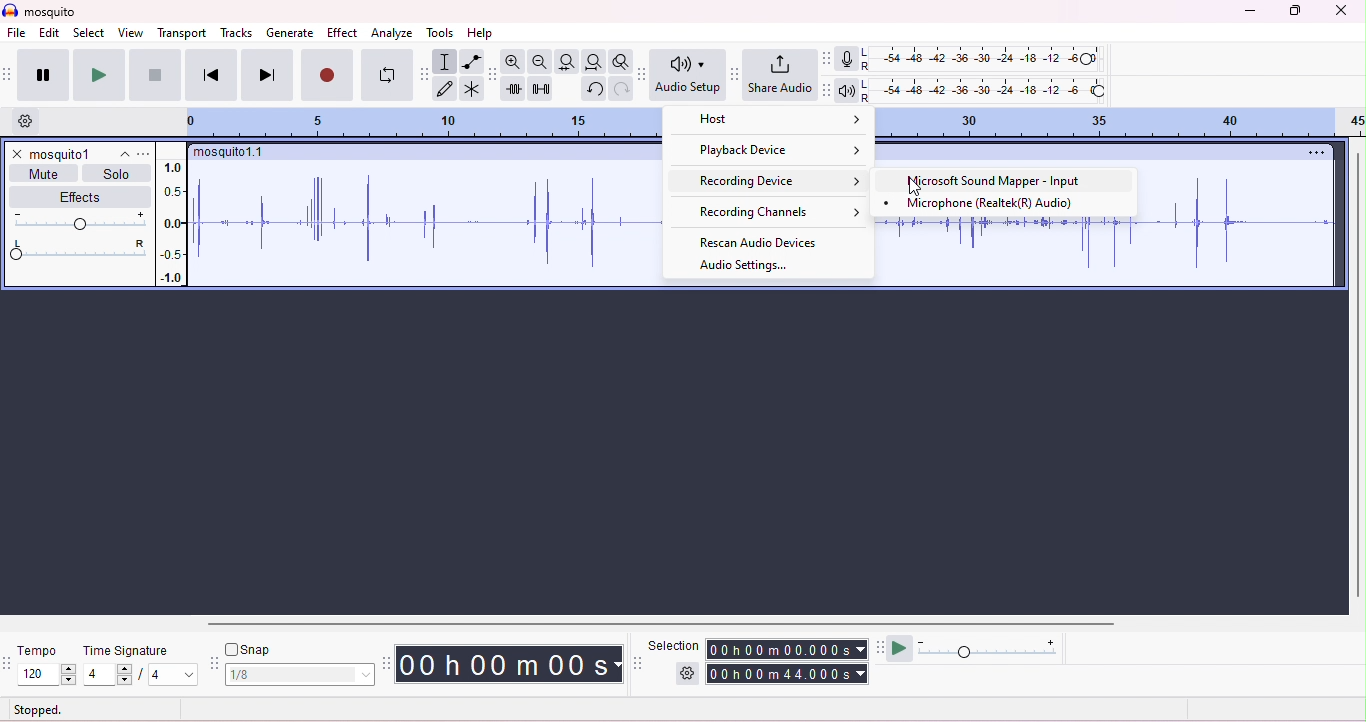  What do you see at coordinates (774, 124) in the screenshot?
I see `host` at bounding box center [774, 124].